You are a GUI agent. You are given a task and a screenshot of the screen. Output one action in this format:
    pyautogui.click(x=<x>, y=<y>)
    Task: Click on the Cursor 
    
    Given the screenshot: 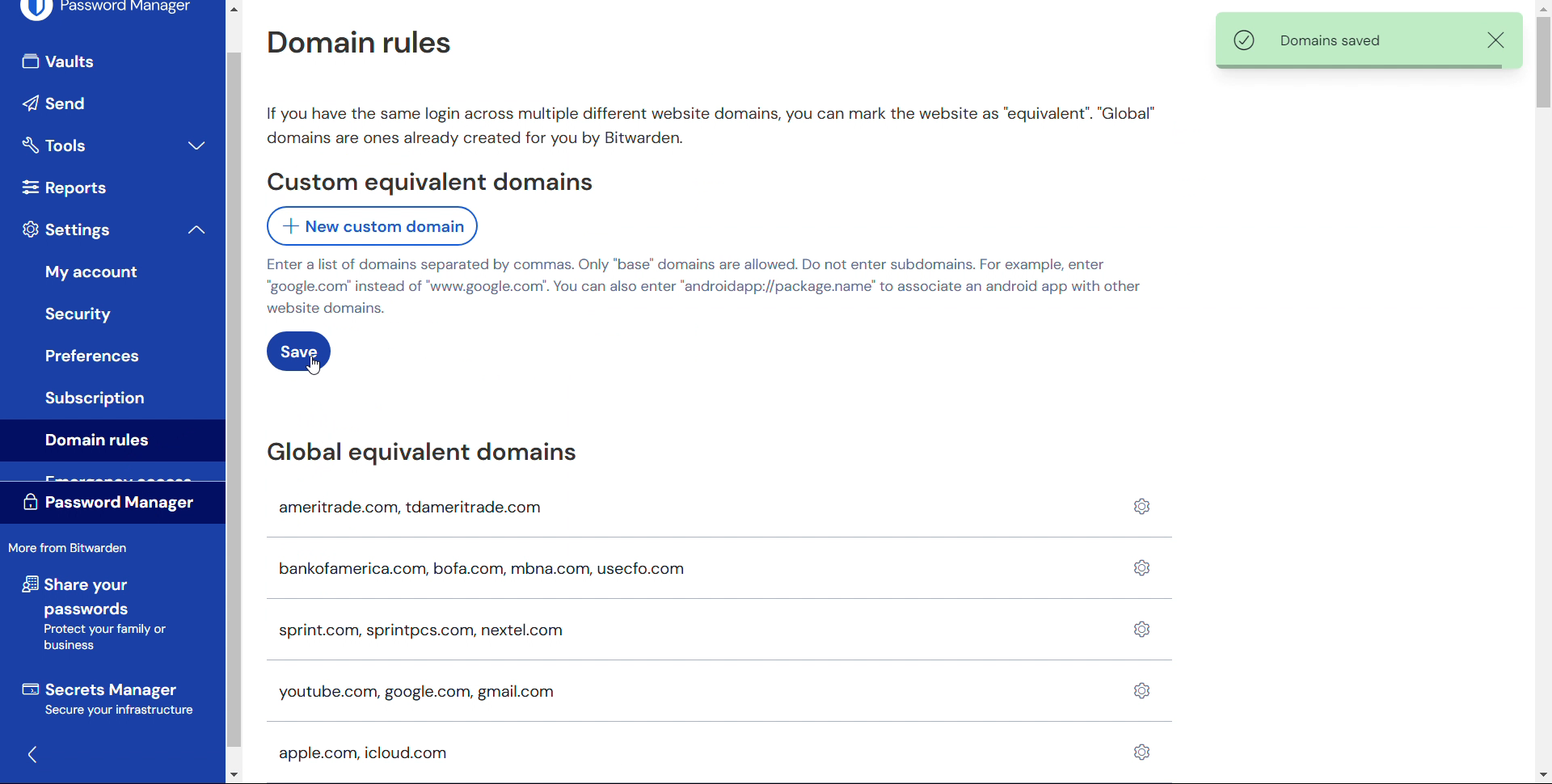 What is the action you would take?
    pyautogui.click(x=313, y=366)
    